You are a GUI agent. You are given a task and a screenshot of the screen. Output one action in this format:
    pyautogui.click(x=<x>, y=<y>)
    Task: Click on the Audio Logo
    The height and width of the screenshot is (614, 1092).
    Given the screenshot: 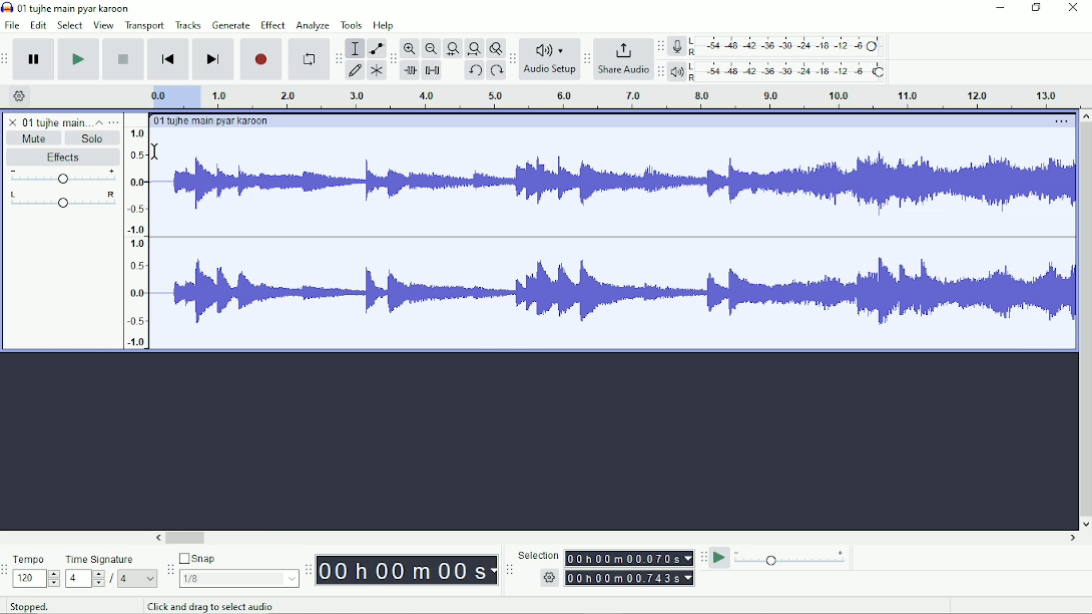 What is the action you would take?
    pyautogui.click(x=550, y=46)
    